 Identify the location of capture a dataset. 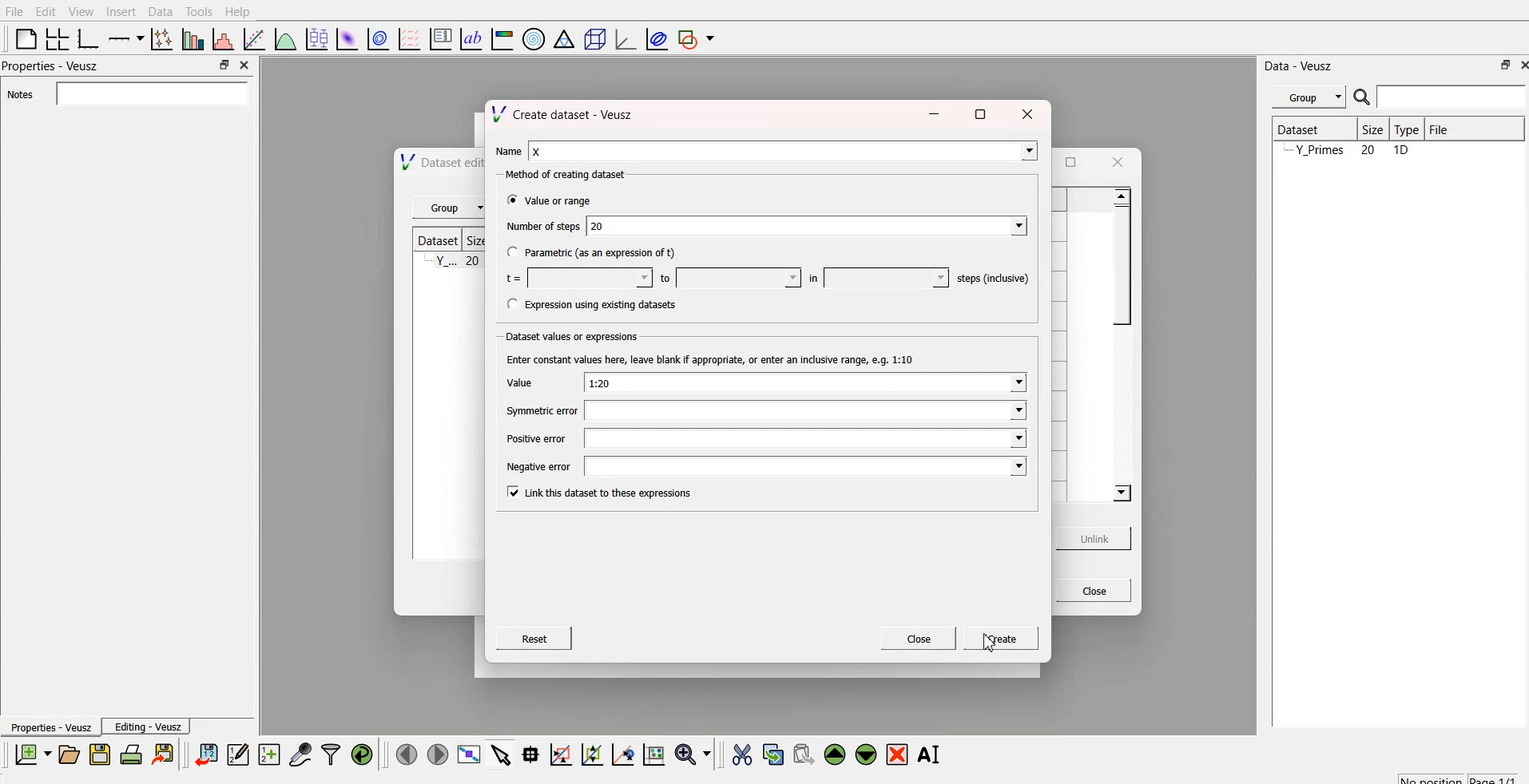
(300, 754).